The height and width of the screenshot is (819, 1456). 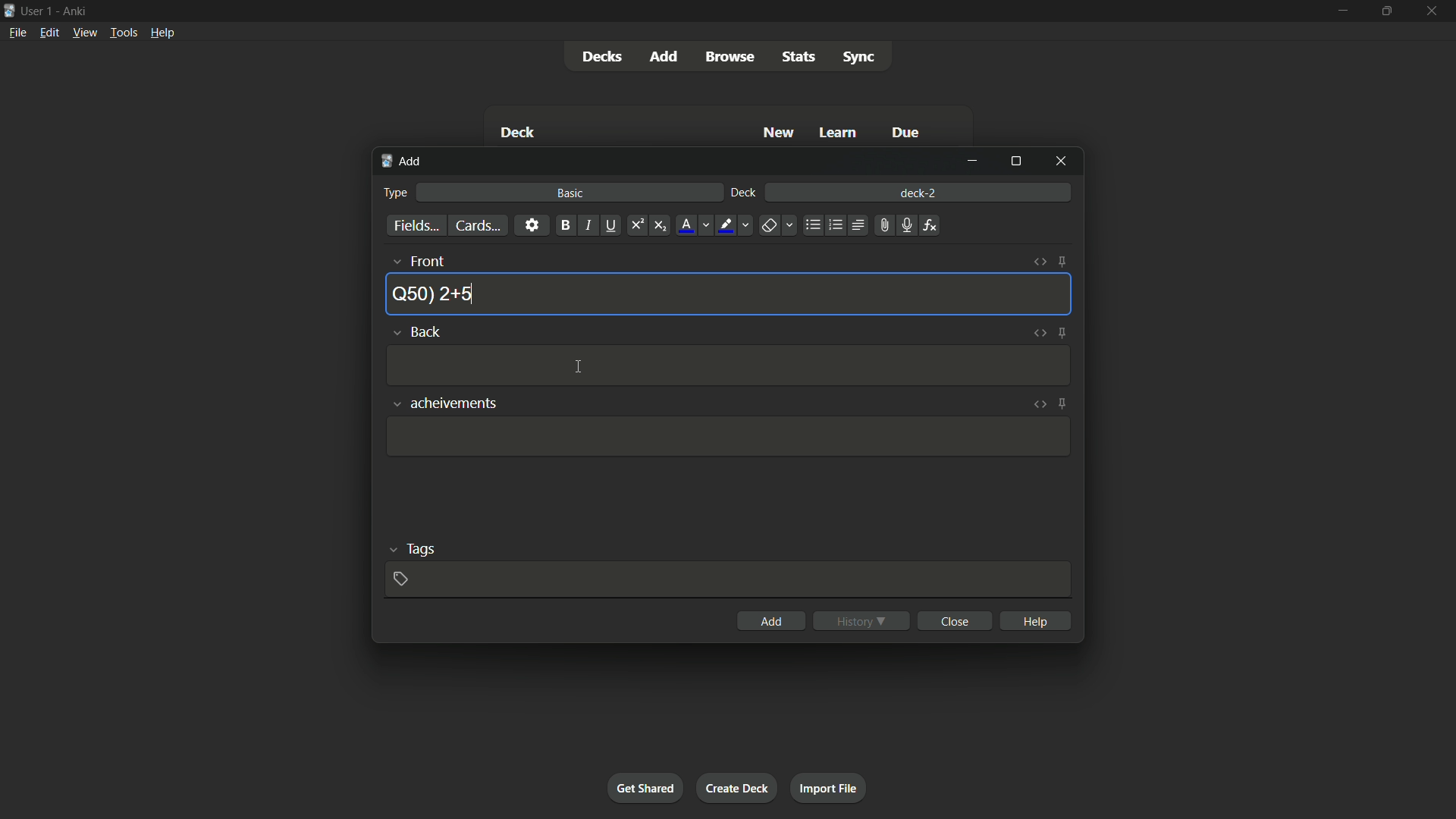 I want to click on attach, so click(x=883, y=226).